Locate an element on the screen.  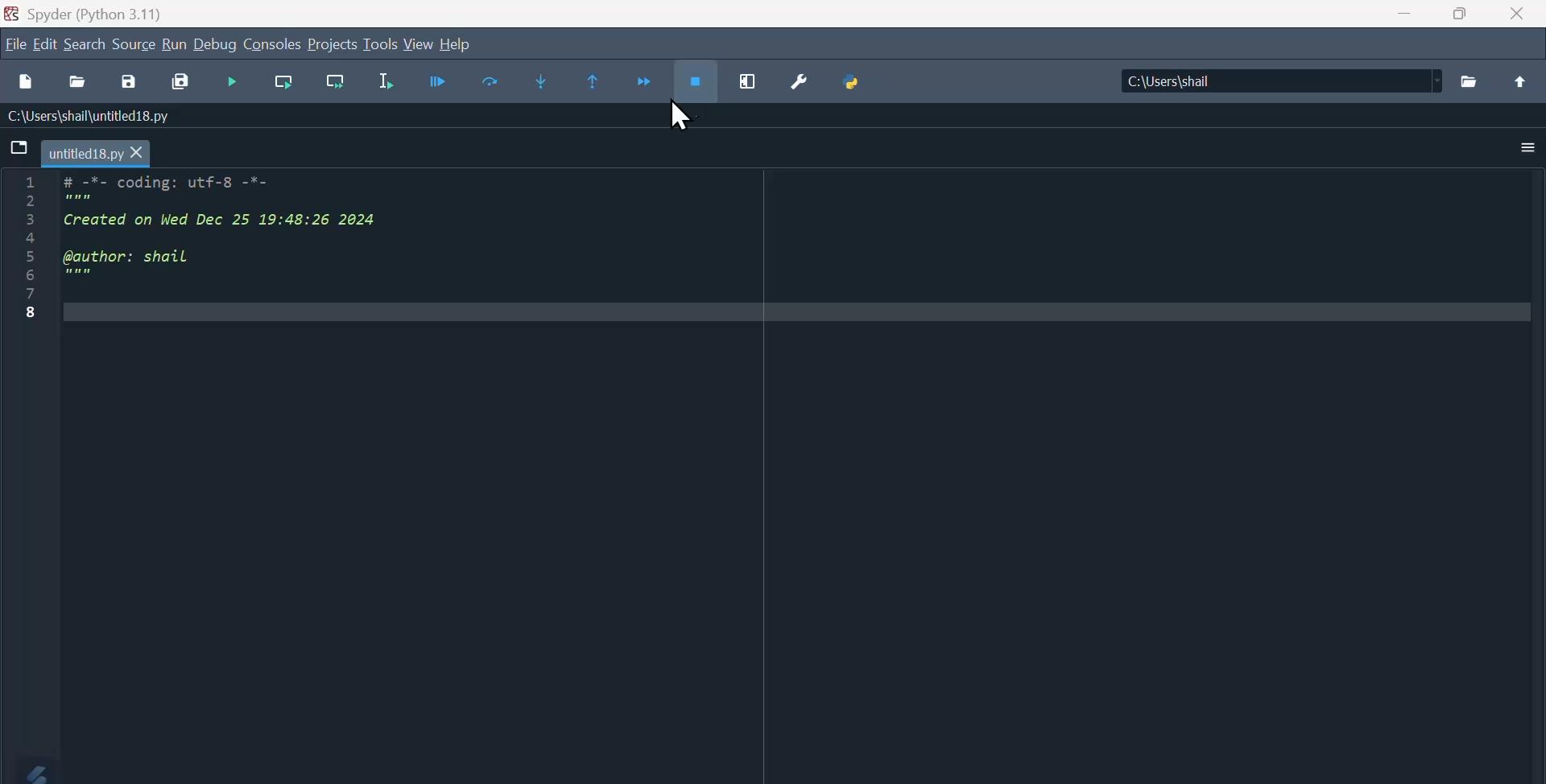
Search is located at coordinates (87, 45).